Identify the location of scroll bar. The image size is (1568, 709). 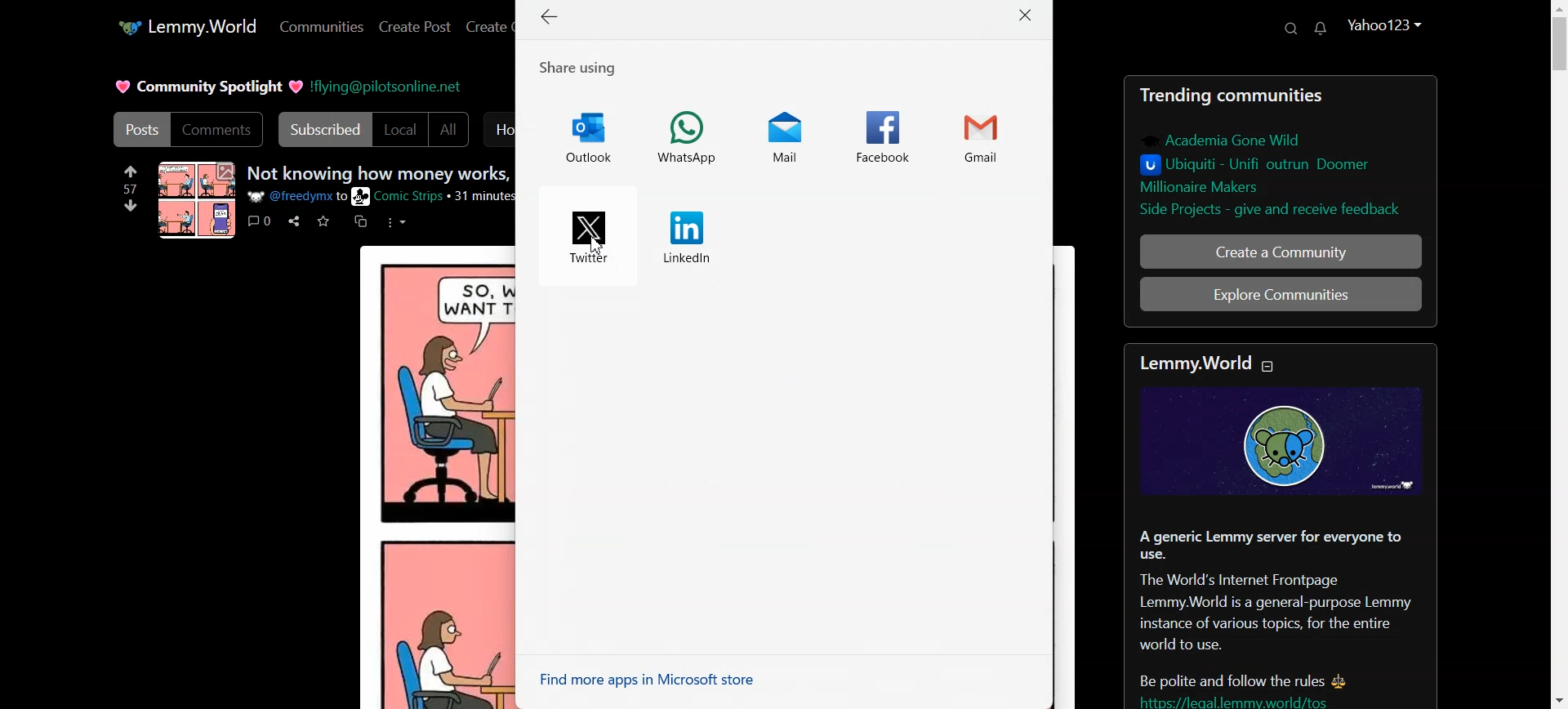
(1558, 357).